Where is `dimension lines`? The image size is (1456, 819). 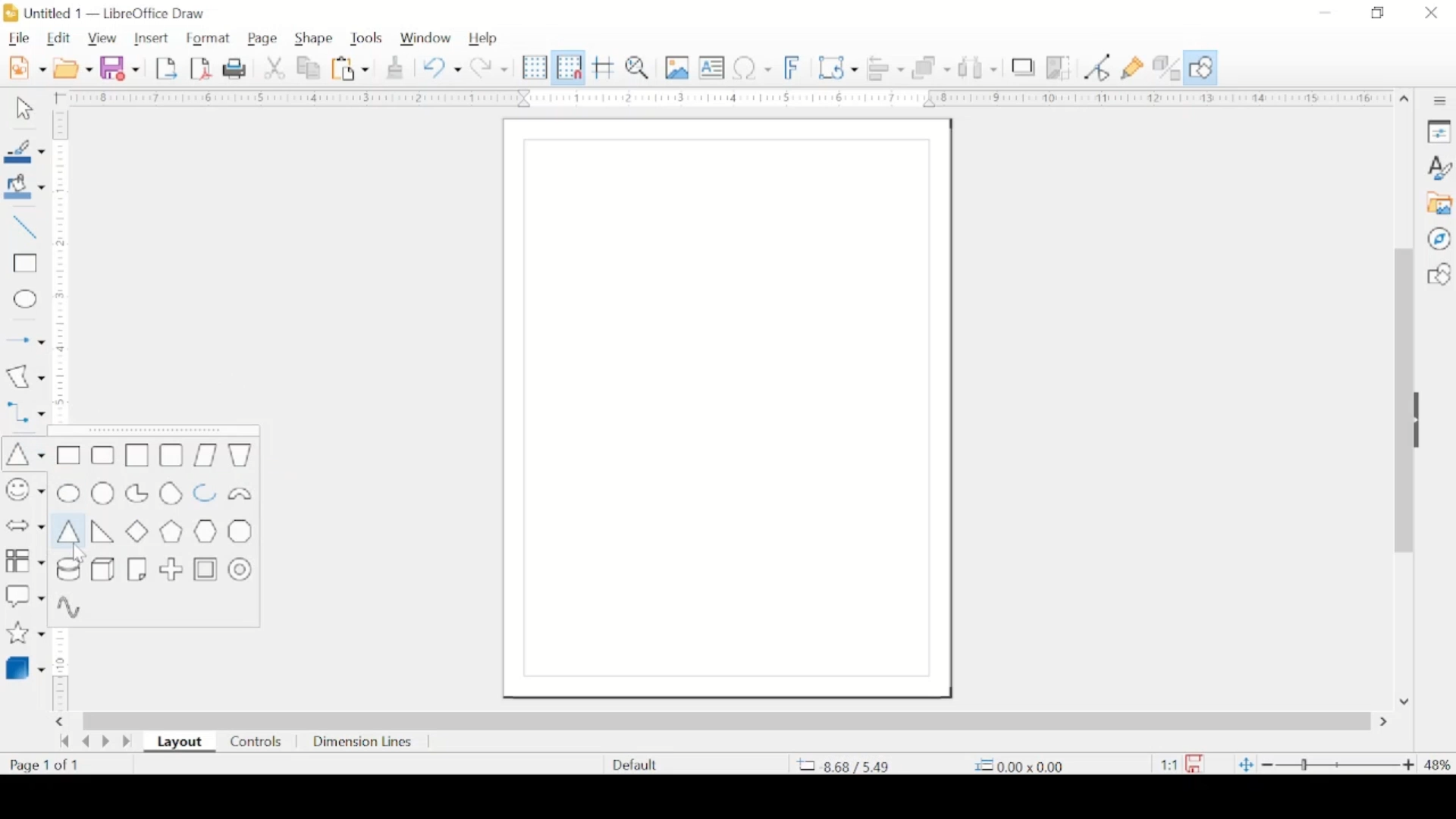
dimension lines is located at coordinates (365, 742).